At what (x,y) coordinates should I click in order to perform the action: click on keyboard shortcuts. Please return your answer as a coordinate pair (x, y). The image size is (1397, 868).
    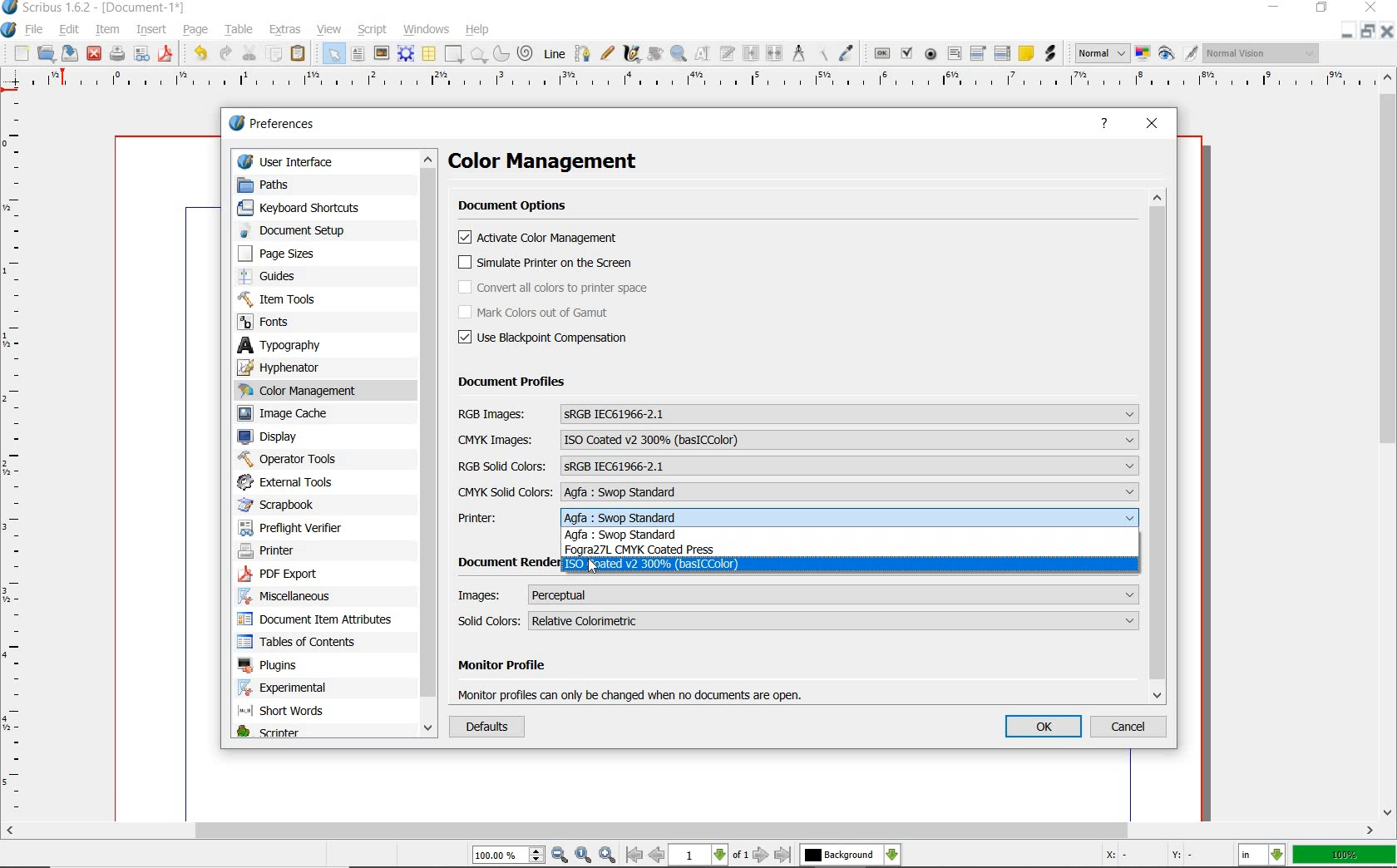
    Looking at the image, I should click on (307, 209).